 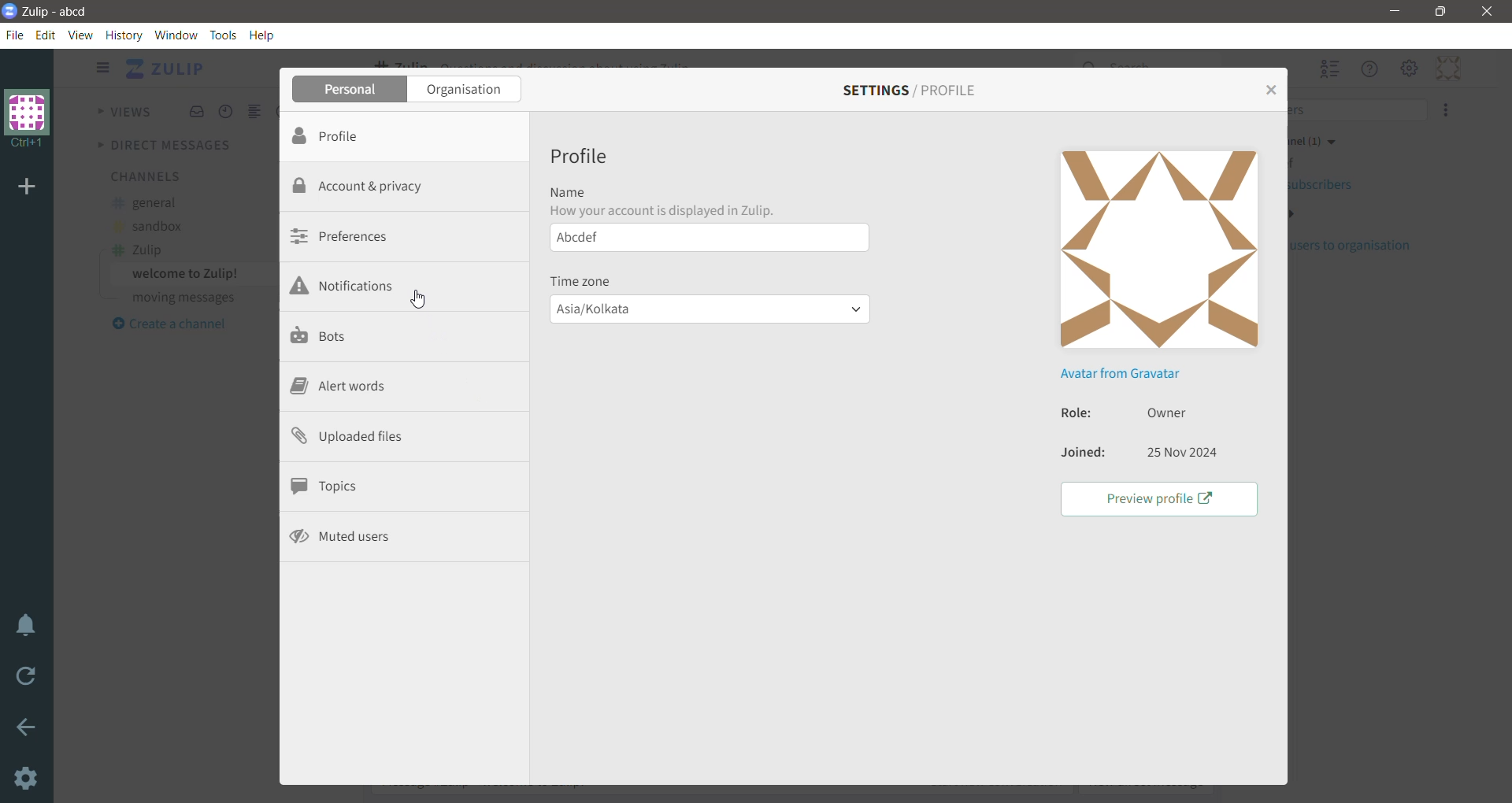 What do you see at coordinates (124, 35) in the screenshot?
I see `History` at bounding box center [124, 35].